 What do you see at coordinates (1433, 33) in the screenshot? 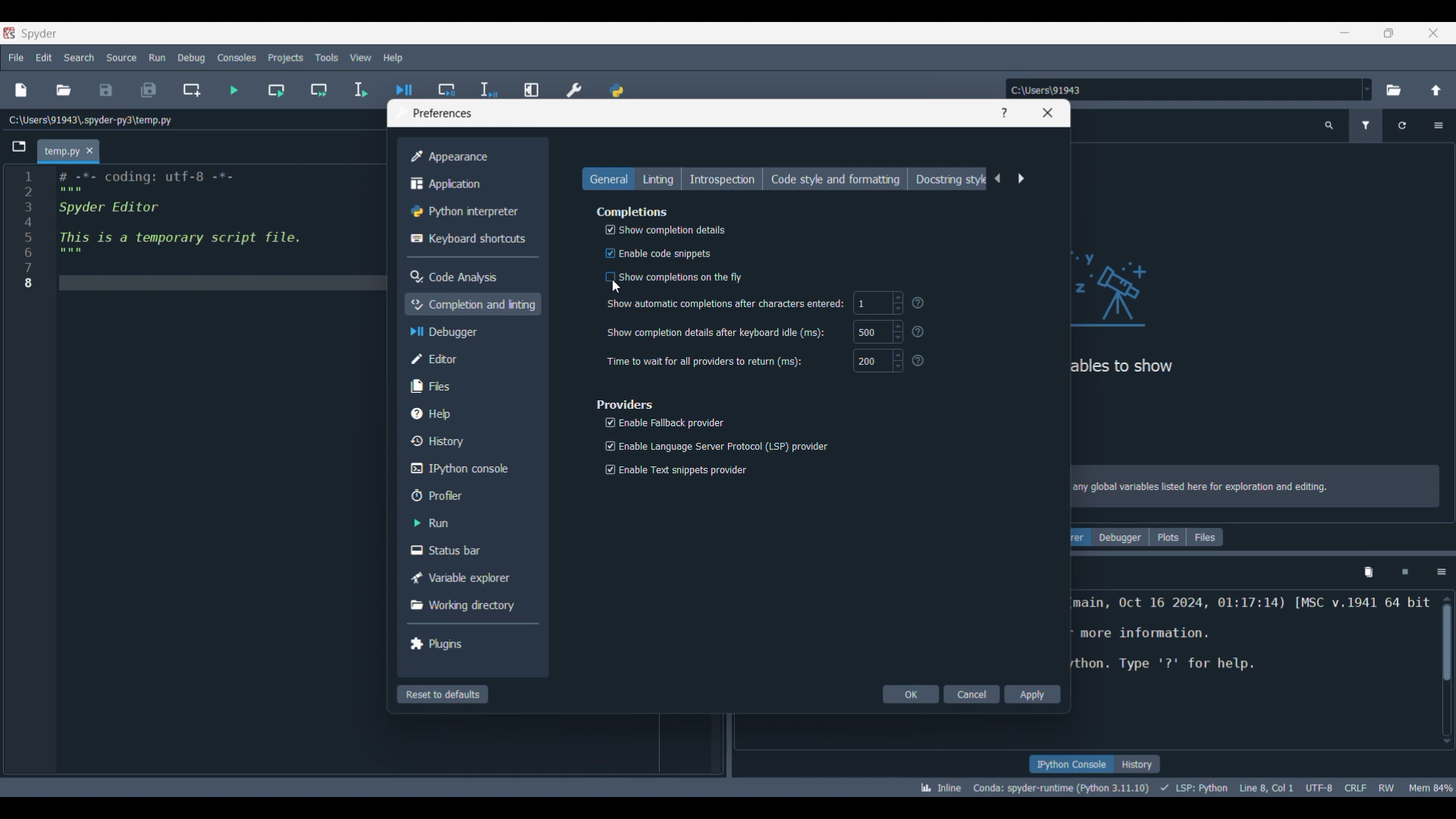
I see `Close` at bounding box center [1433, 33].